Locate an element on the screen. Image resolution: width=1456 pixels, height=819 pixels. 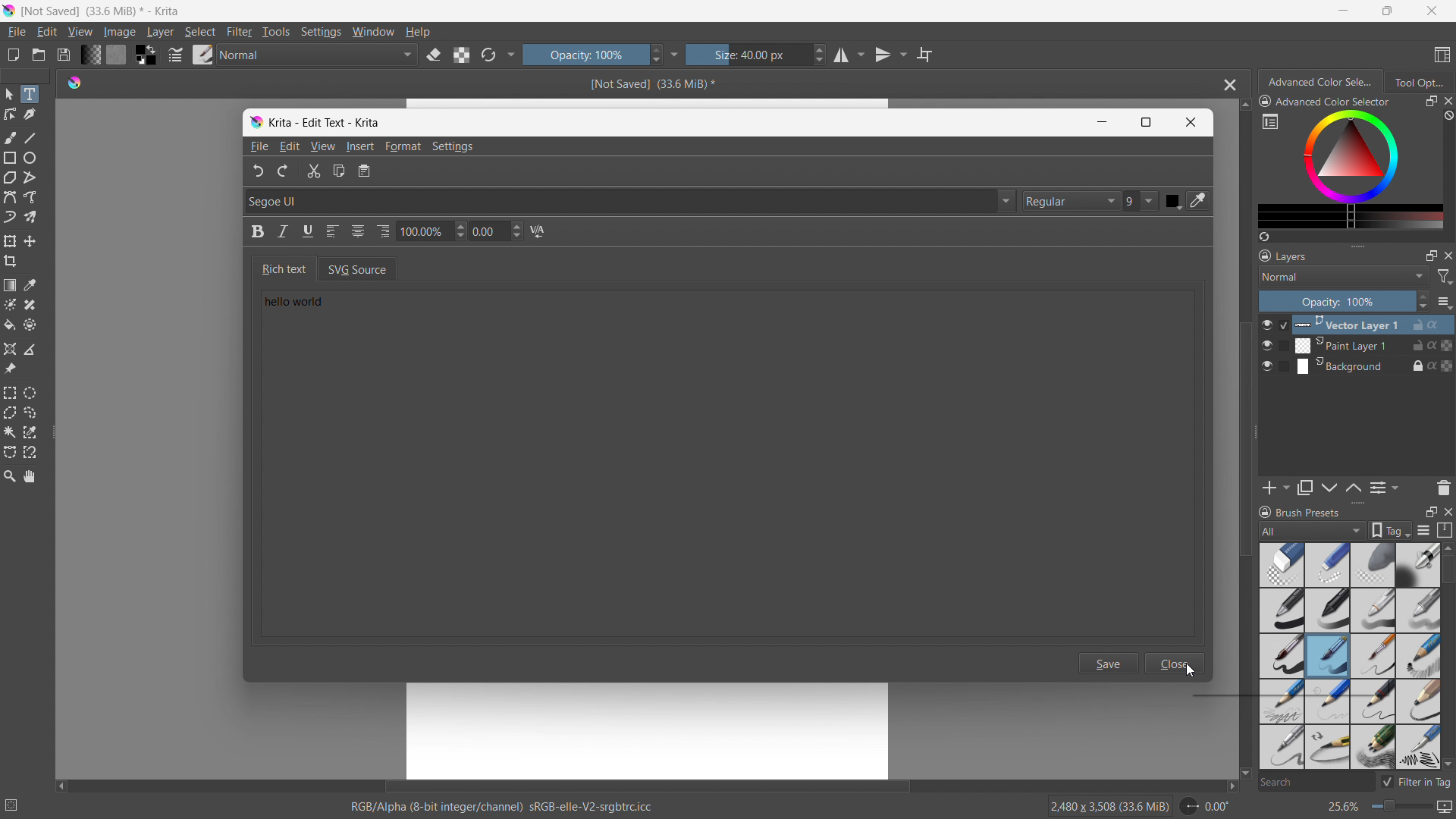
magnetic curve selection tool is located at coordinates (30, 453).